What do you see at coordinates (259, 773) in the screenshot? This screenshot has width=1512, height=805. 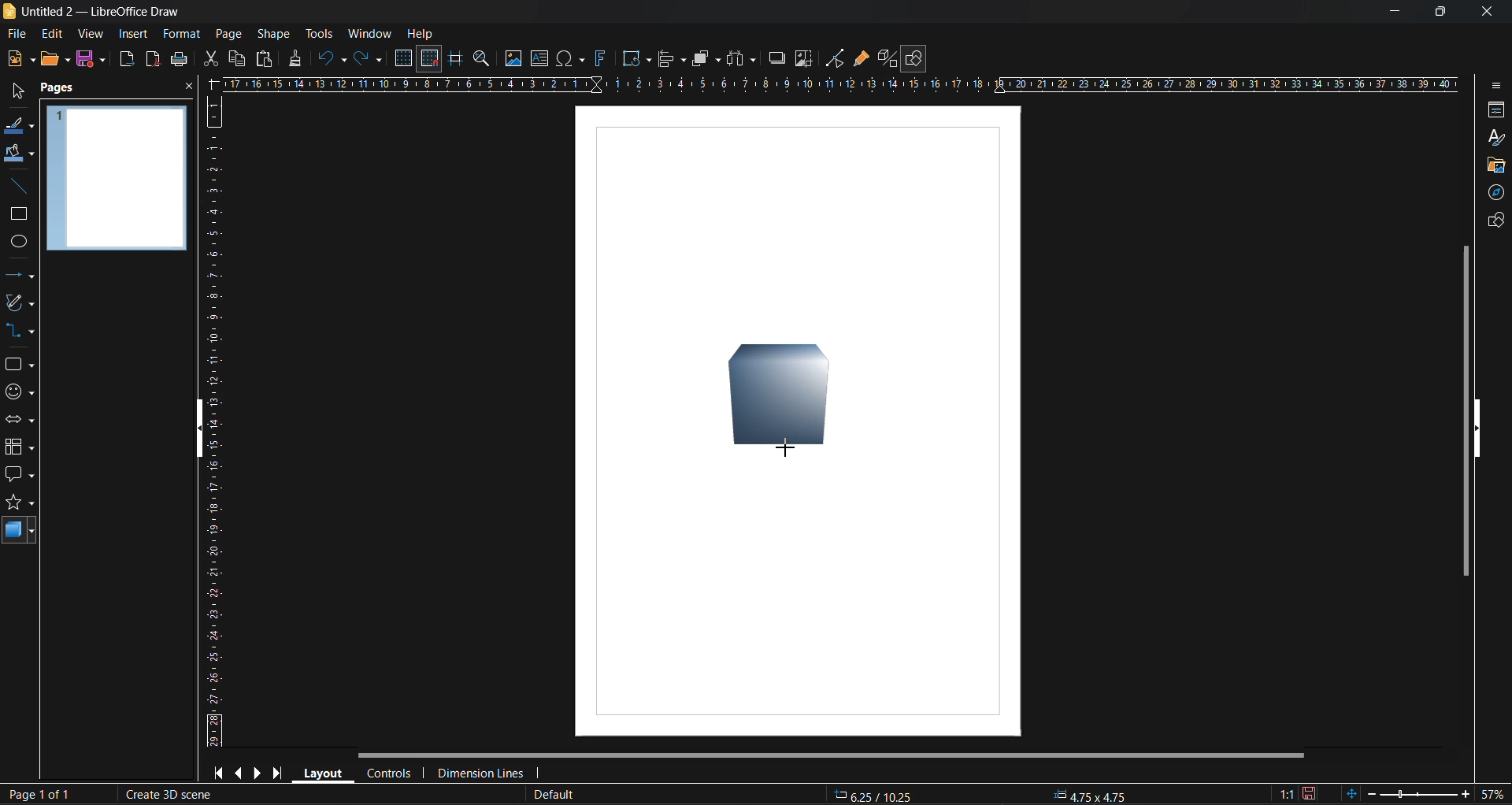 I see `next` at bounding box center [259, 773].